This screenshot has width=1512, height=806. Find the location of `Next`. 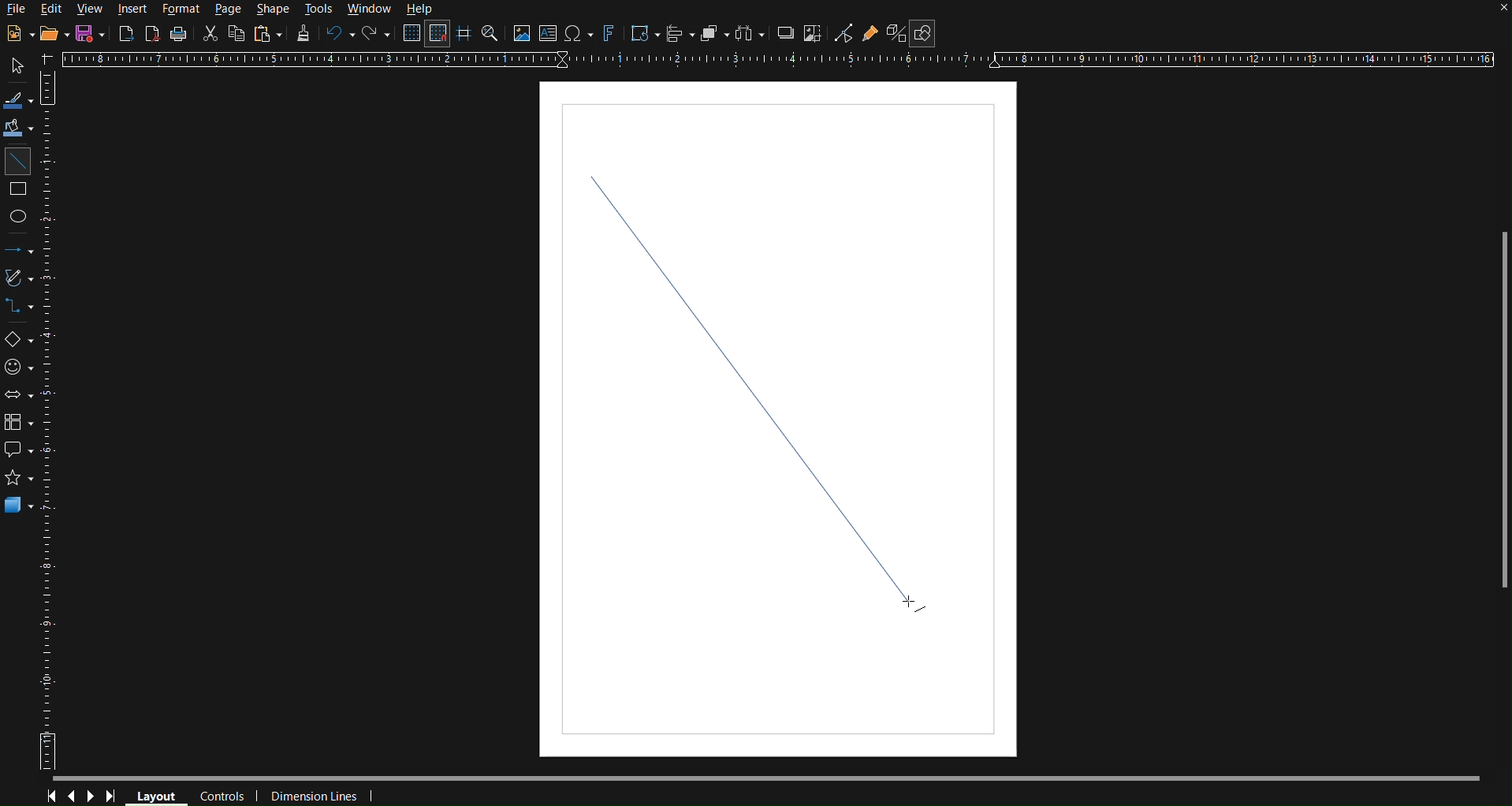

Next is located at coordinates (91, 795).